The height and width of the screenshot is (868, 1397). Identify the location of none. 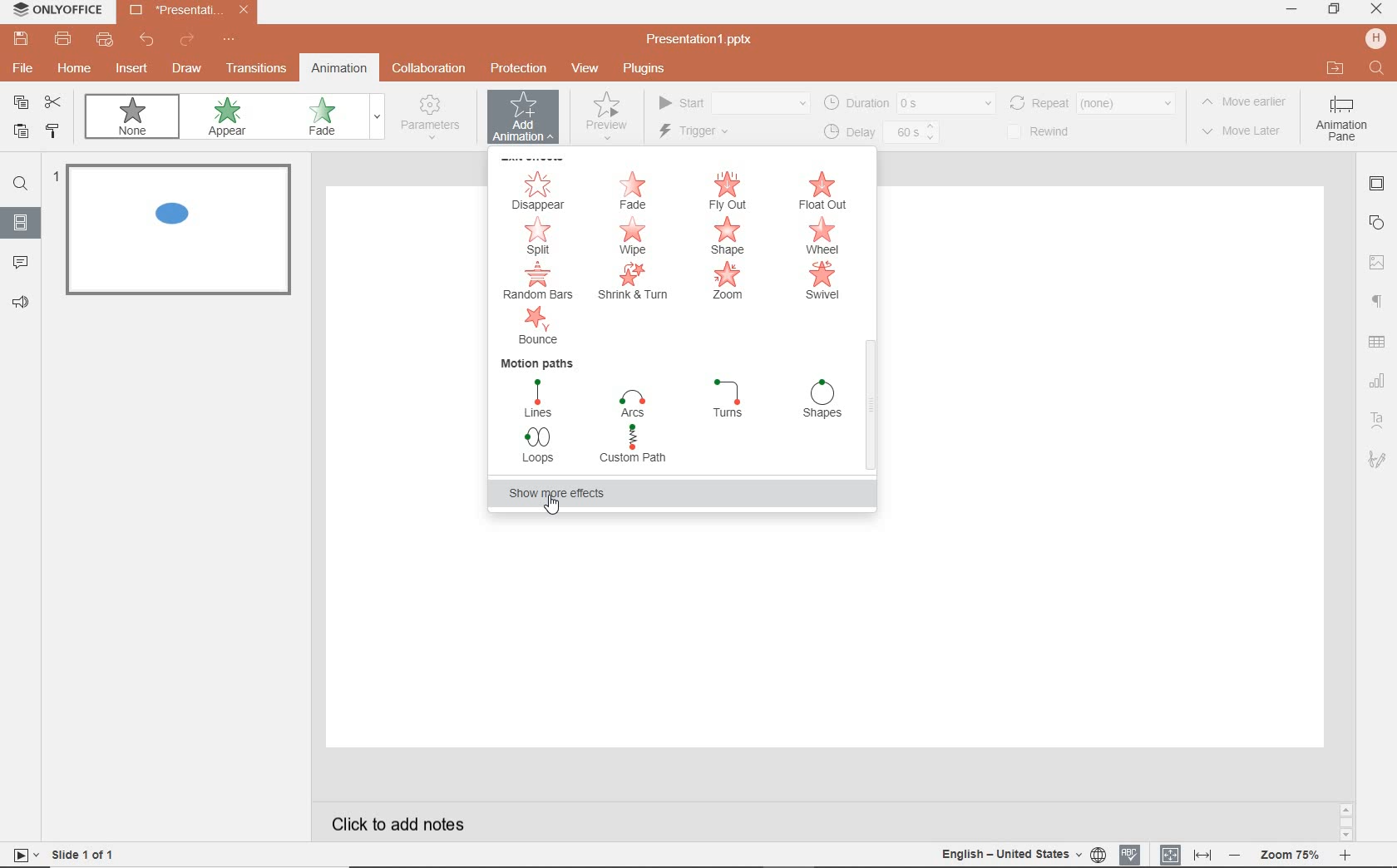
(136, 120).